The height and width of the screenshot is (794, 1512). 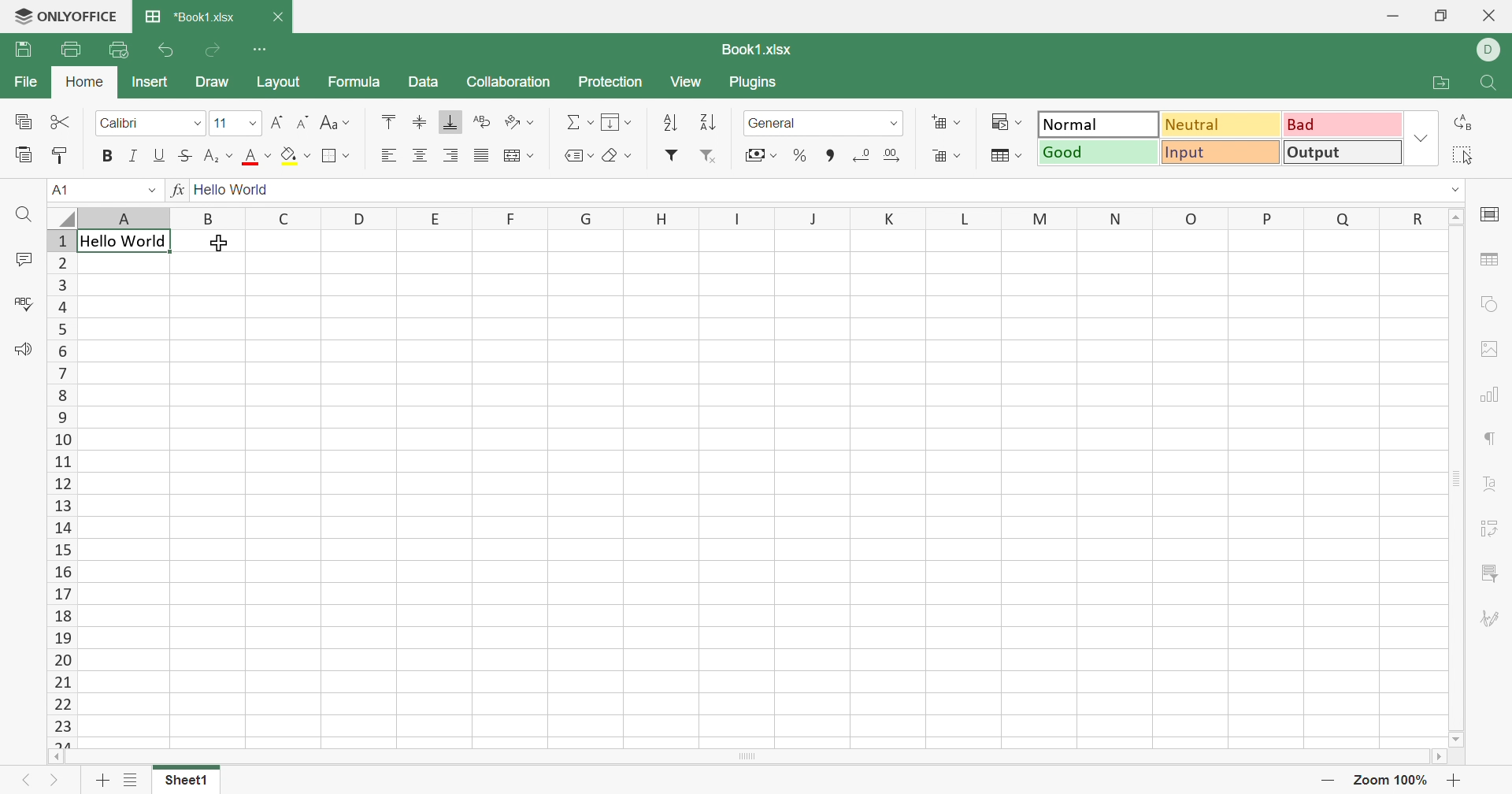 I want to click on Neutral, so click(x=1220, y=124).